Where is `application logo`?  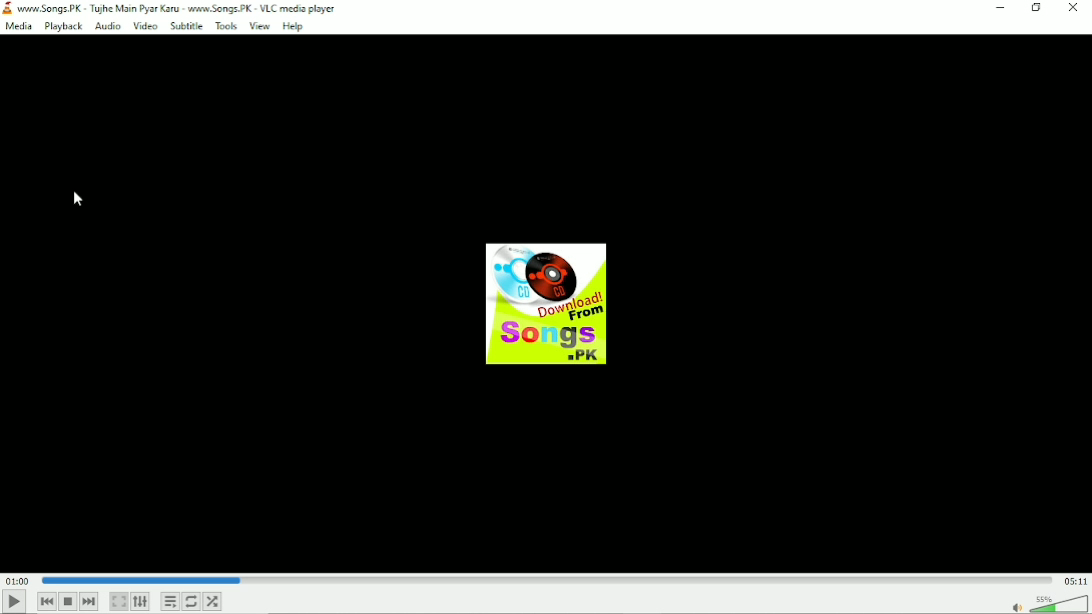
application logo is located at coordinates (7, 8).